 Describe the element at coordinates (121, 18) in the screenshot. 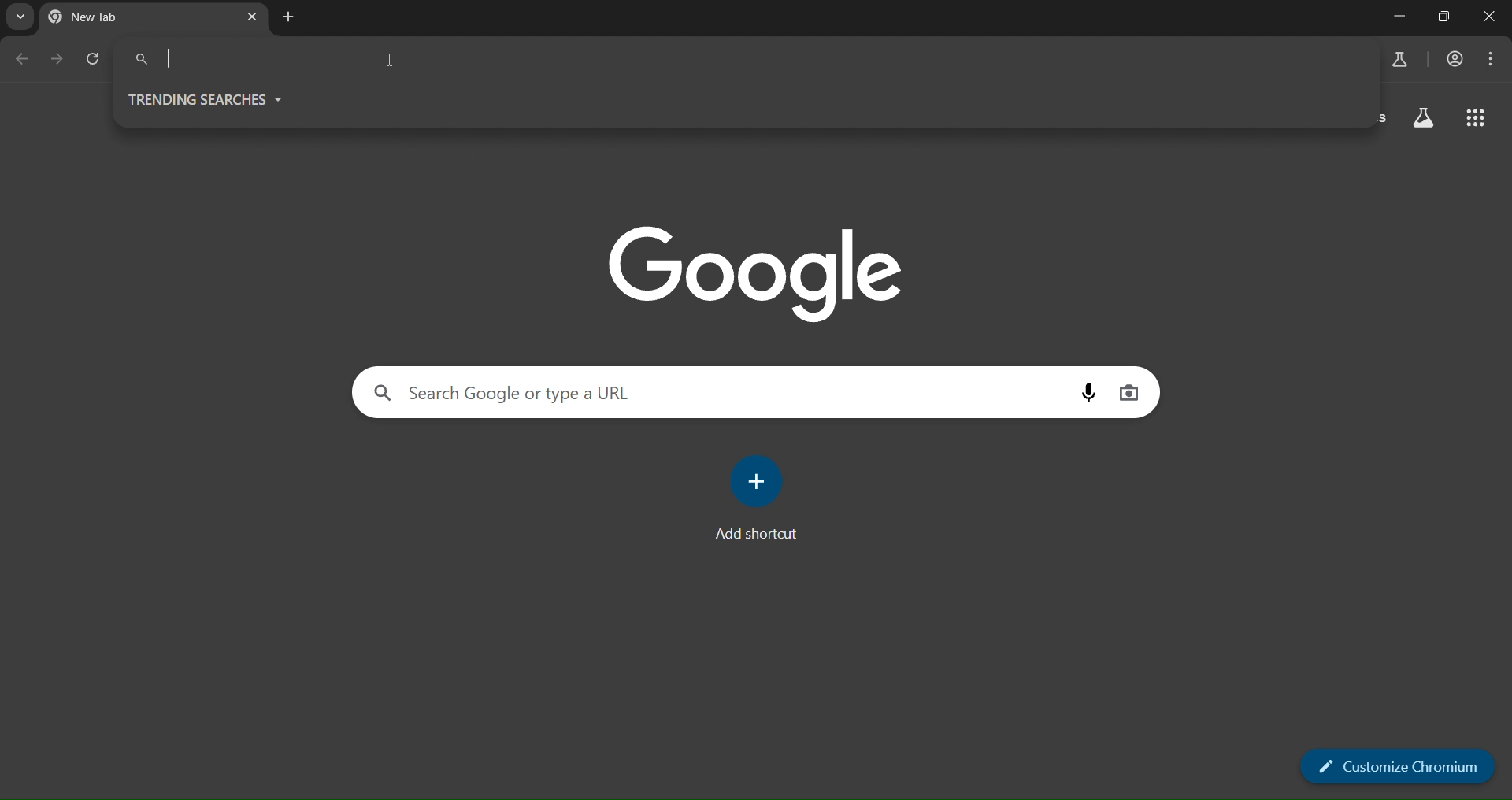

I see `current tab` at that location.